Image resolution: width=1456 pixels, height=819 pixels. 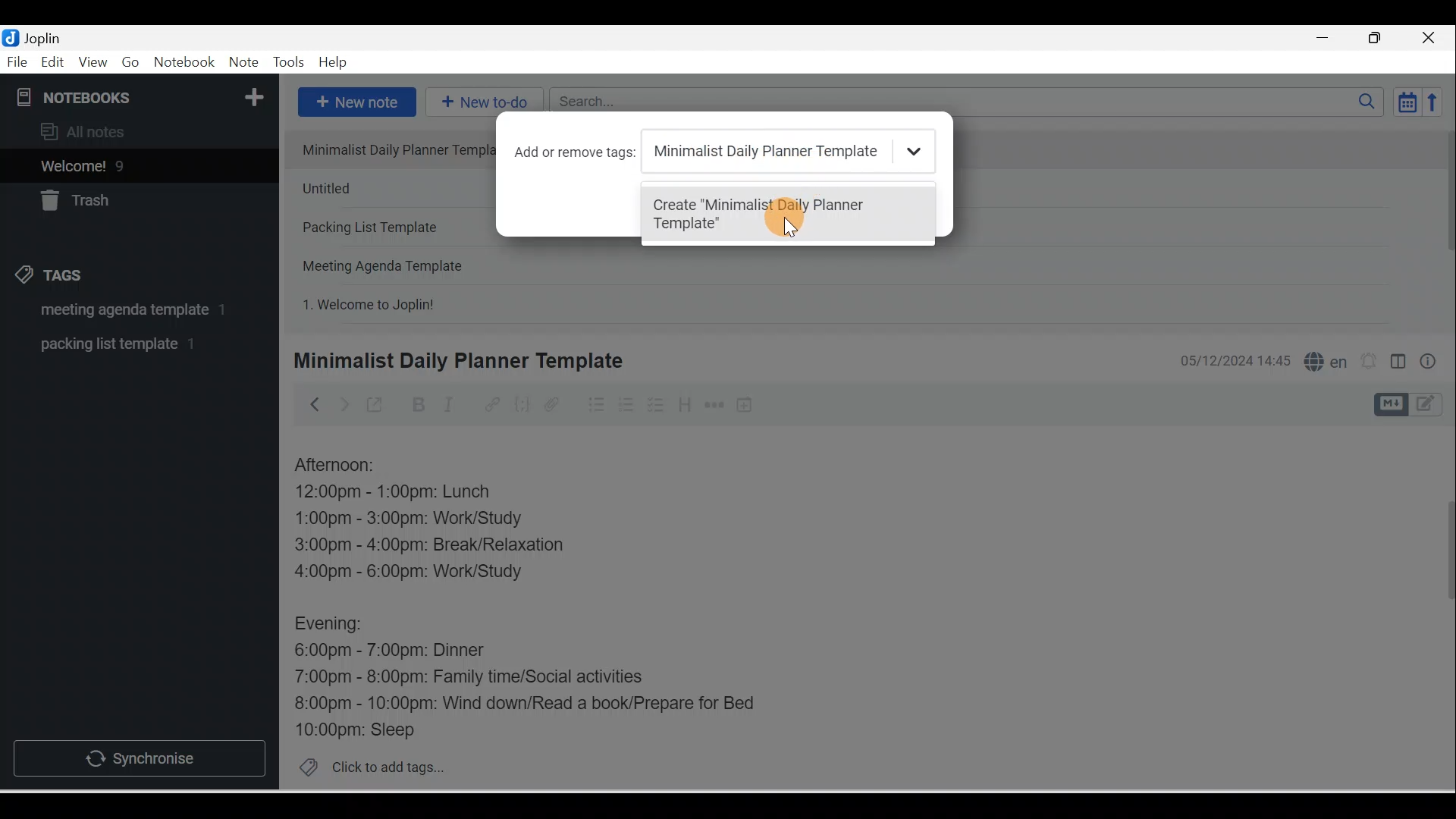 What do you see at coordinates (1380, 39) in the screenshot?
I see `Maximise` at bounding box center [1380, 39].